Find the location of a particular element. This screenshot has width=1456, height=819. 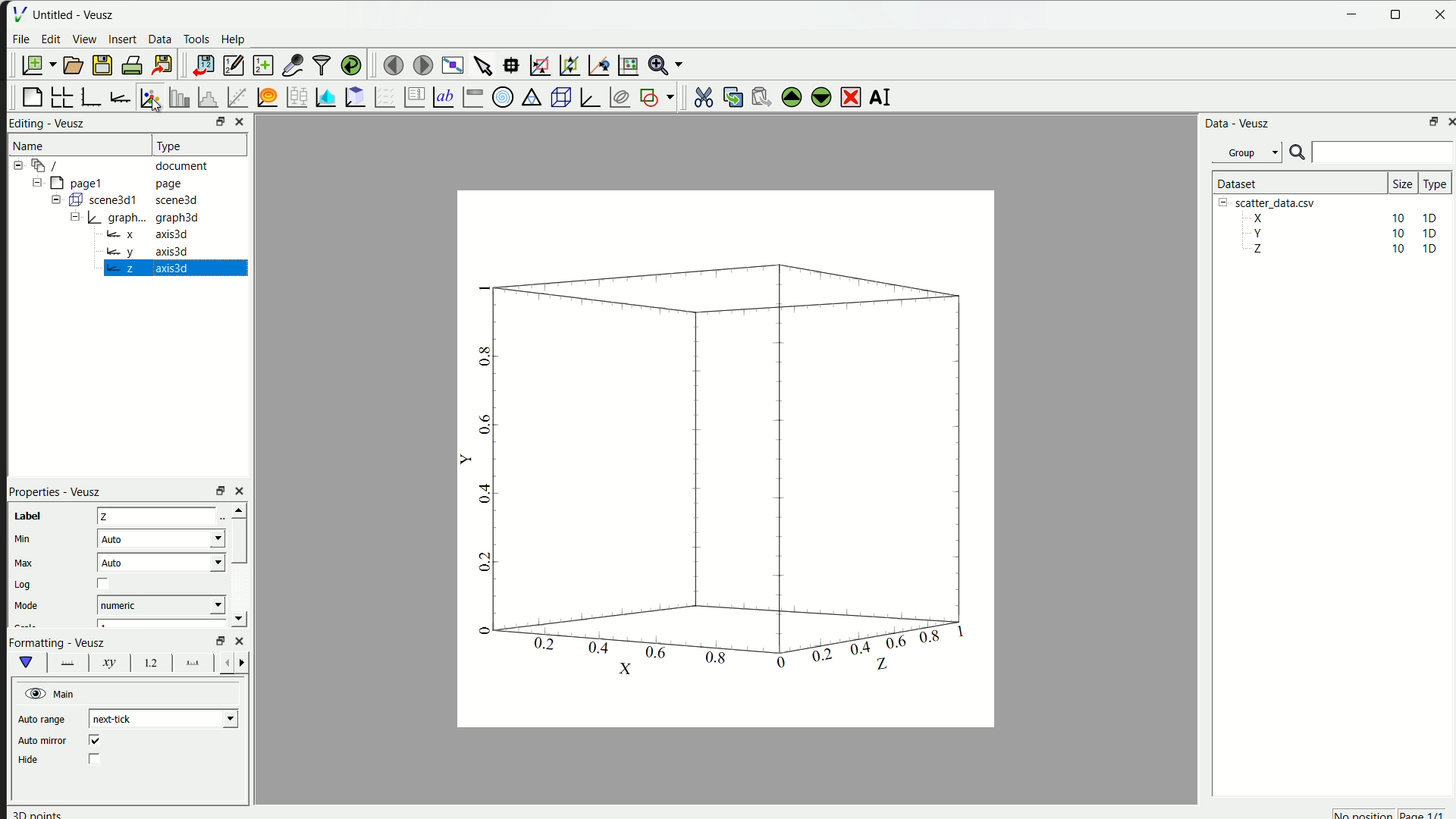

Data - Veusz is located at coordinates (1235, 124).